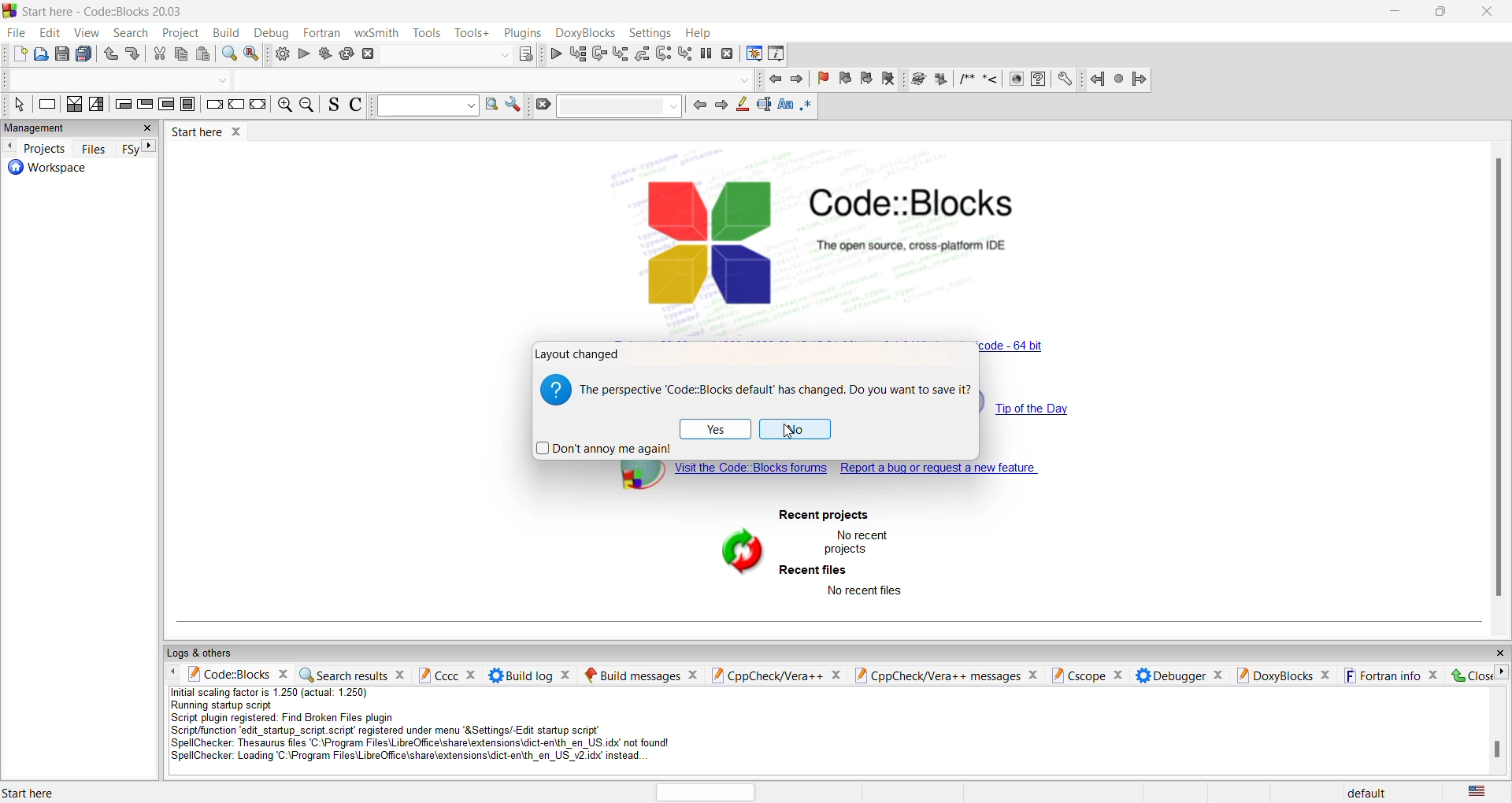 The height and width of the screenshot is (803, 1512). I want to click on show, so click(1017, 80).